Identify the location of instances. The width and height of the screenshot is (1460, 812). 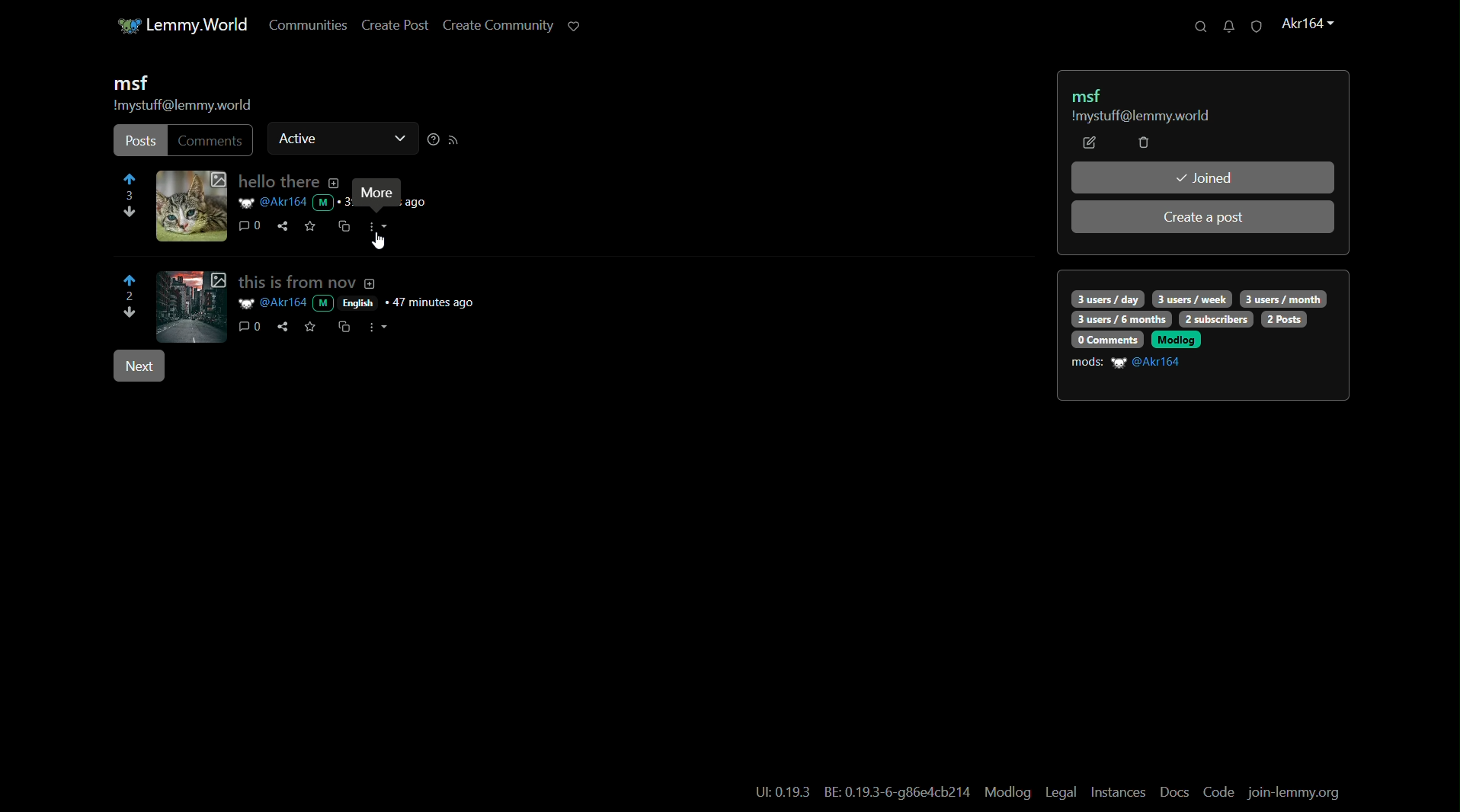
(1119, 792).